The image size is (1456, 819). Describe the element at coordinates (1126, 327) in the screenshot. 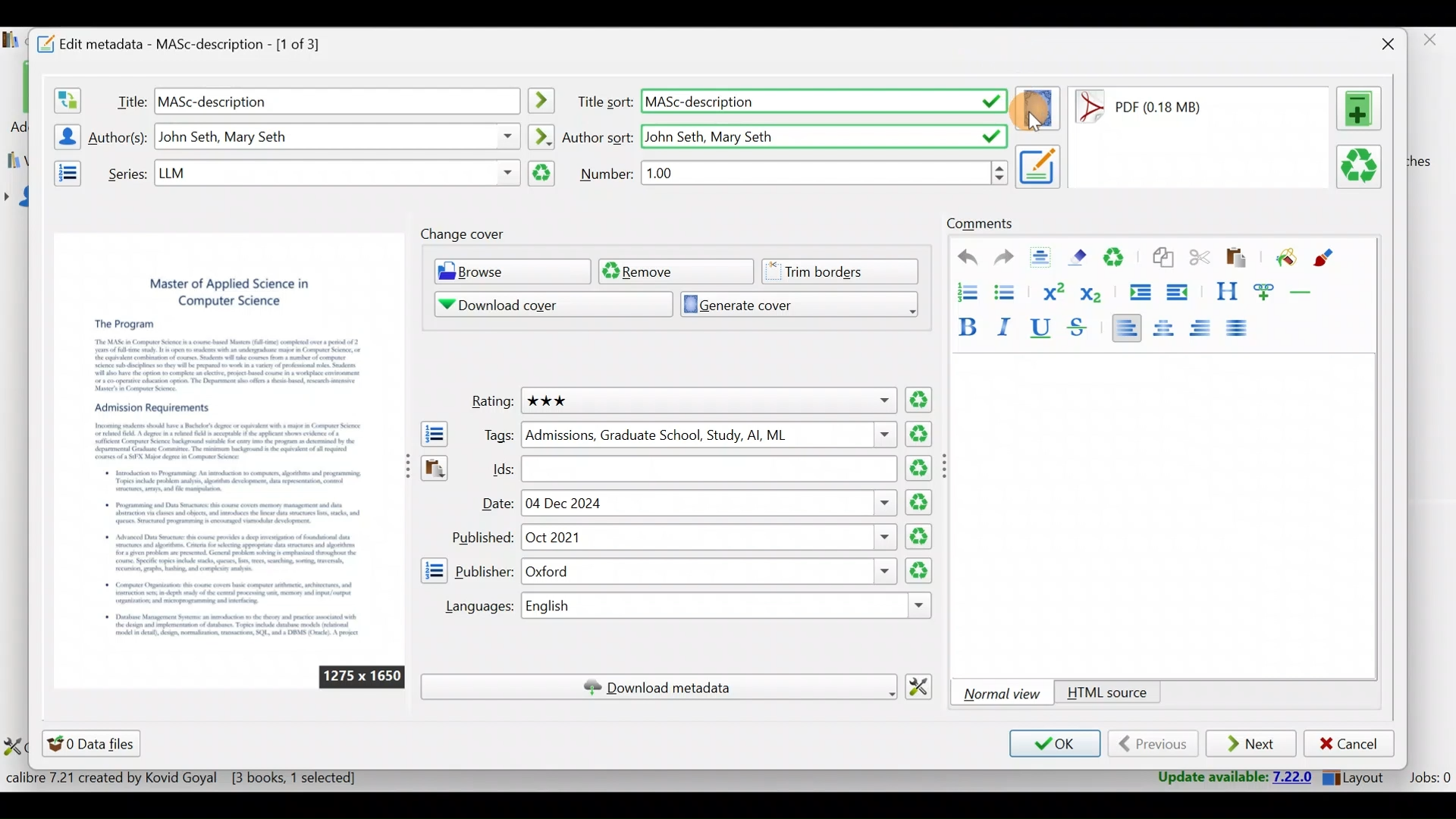

I see `Align left` at that location.